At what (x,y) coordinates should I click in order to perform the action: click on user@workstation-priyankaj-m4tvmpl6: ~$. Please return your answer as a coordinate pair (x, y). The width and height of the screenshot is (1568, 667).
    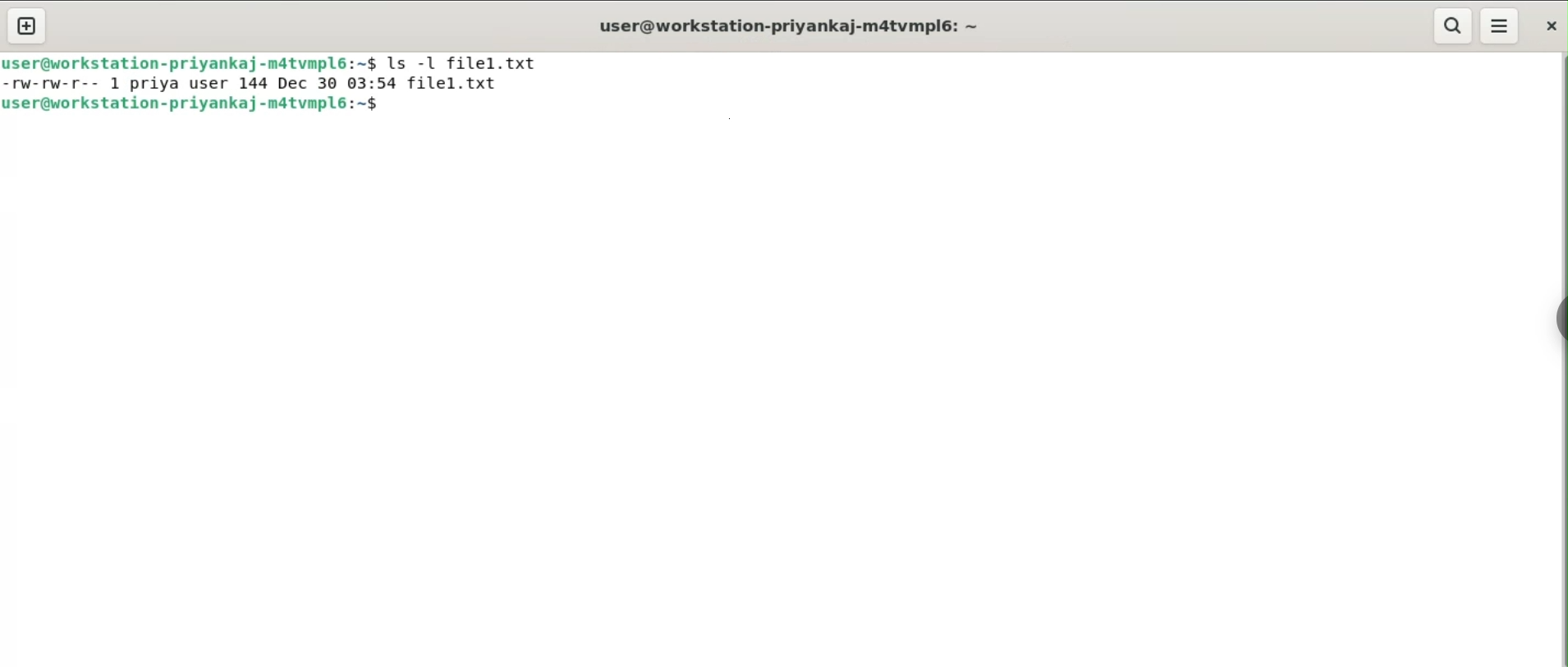
    Looking at the image, I should click on (190, 63).